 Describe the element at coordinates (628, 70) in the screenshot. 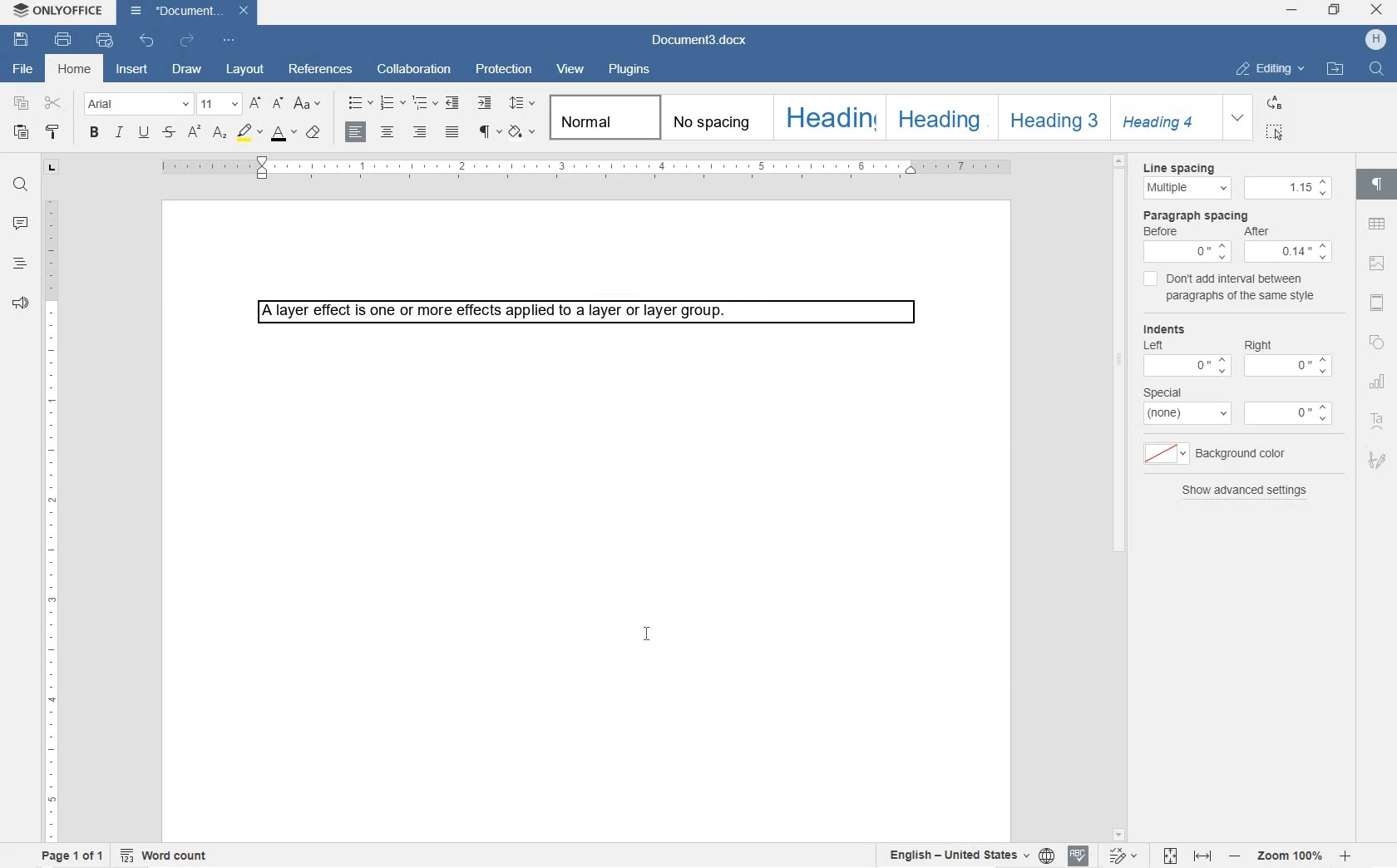

I see `PLUGINS` at that location.